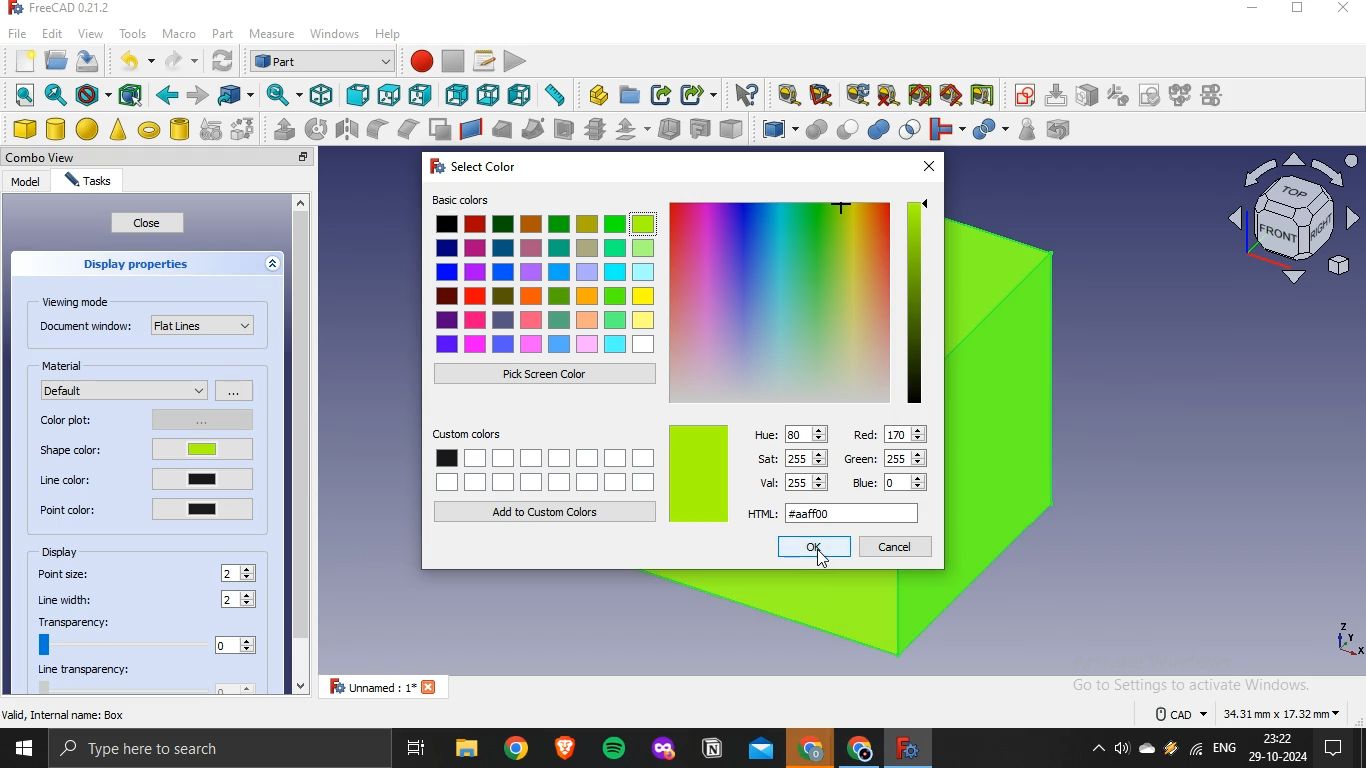  Describe the element at coordinates (389, 686) in the screenshot. I see `unnamed` at that location.